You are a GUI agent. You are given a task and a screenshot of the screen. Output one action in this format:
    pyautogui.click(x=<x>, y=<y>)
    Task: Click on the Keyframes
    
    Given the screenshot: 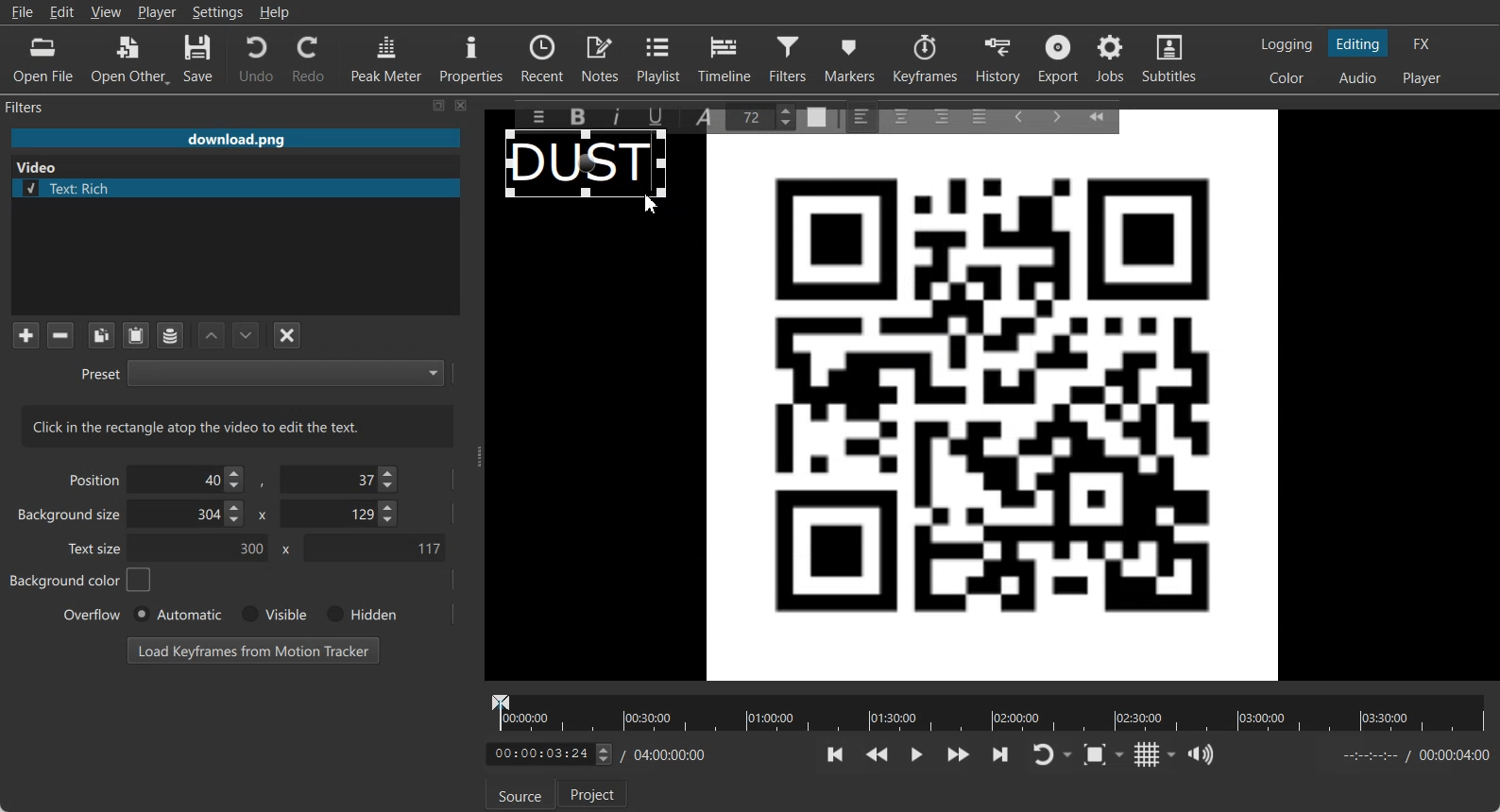 What is the action you would take?
    pyautogui.click(x=925, y=58)
    